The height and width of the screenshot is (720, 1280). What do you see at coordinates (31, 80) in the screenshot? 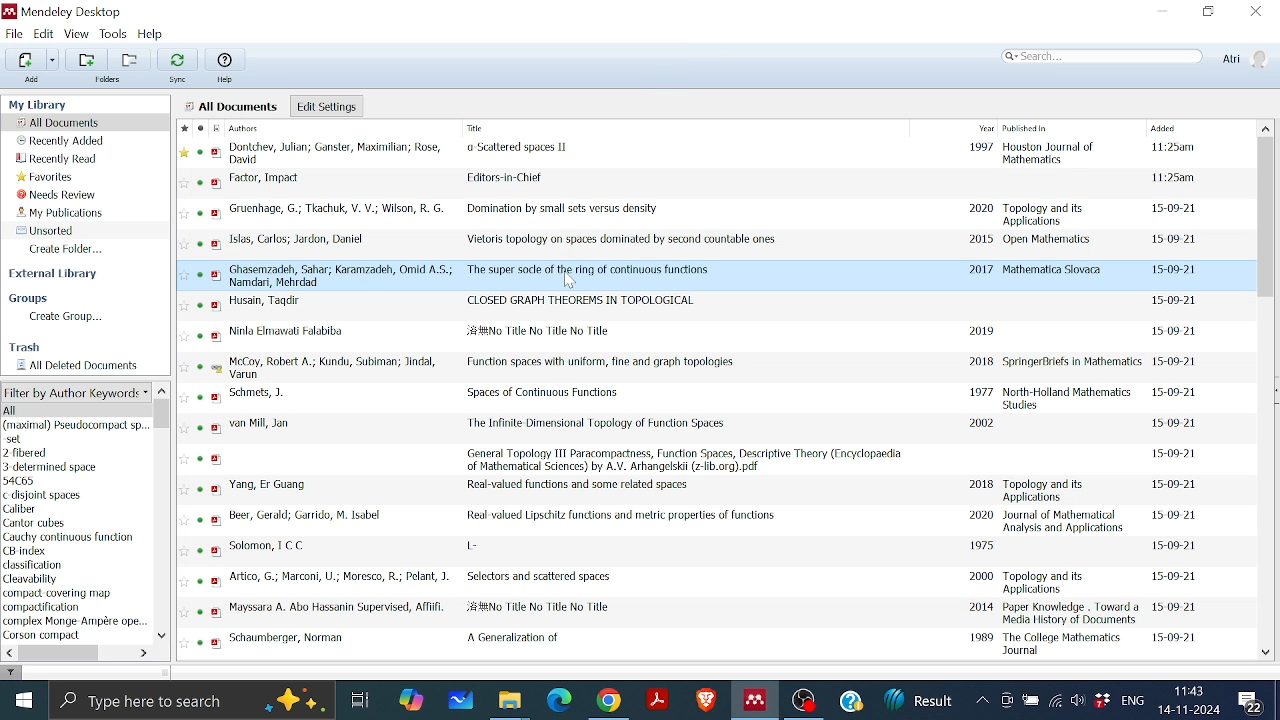
I see `Add` at bounding box center [31, 80].